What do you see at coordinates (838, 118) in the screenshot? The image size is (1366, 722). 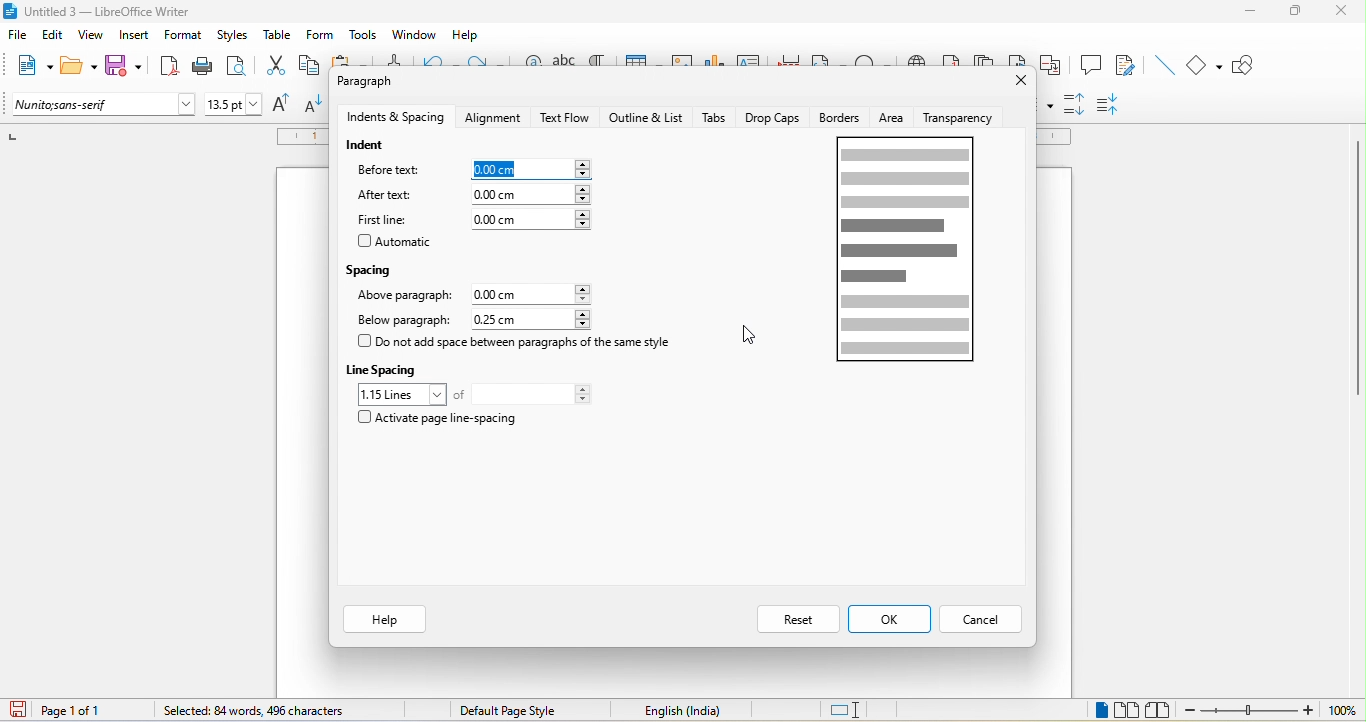 I see `borders` at bounding box center [838, 118].